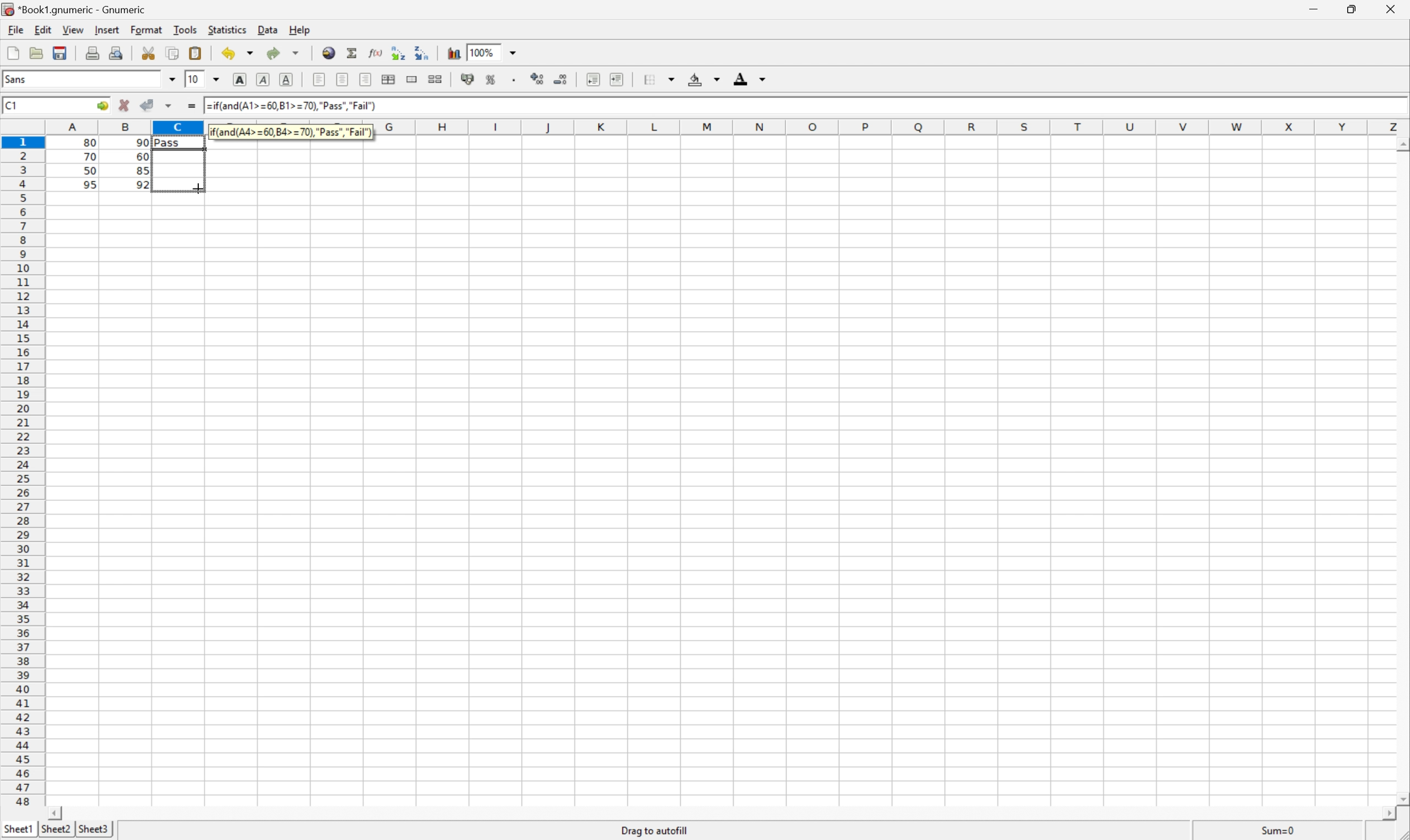 The image size is (1410, 840). What do you see at coordinates (72, 9) in the screenshot?
I see `*Book1.gnumeric - Gnumeric` at bounding box center [72, 9].